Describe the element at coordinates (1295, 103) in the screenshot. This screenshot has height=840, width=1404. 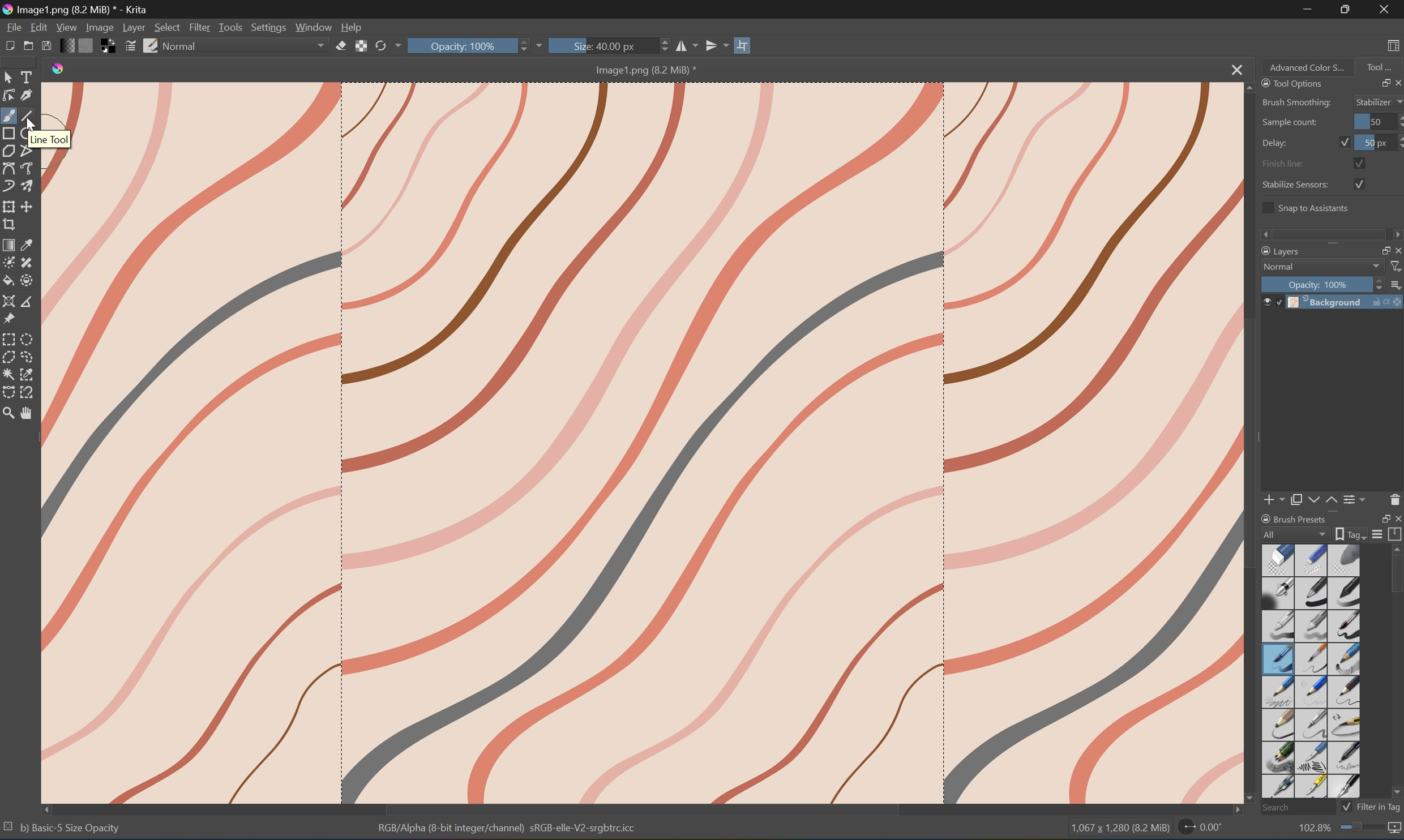
I see `Brush Smoothing:` at that location.